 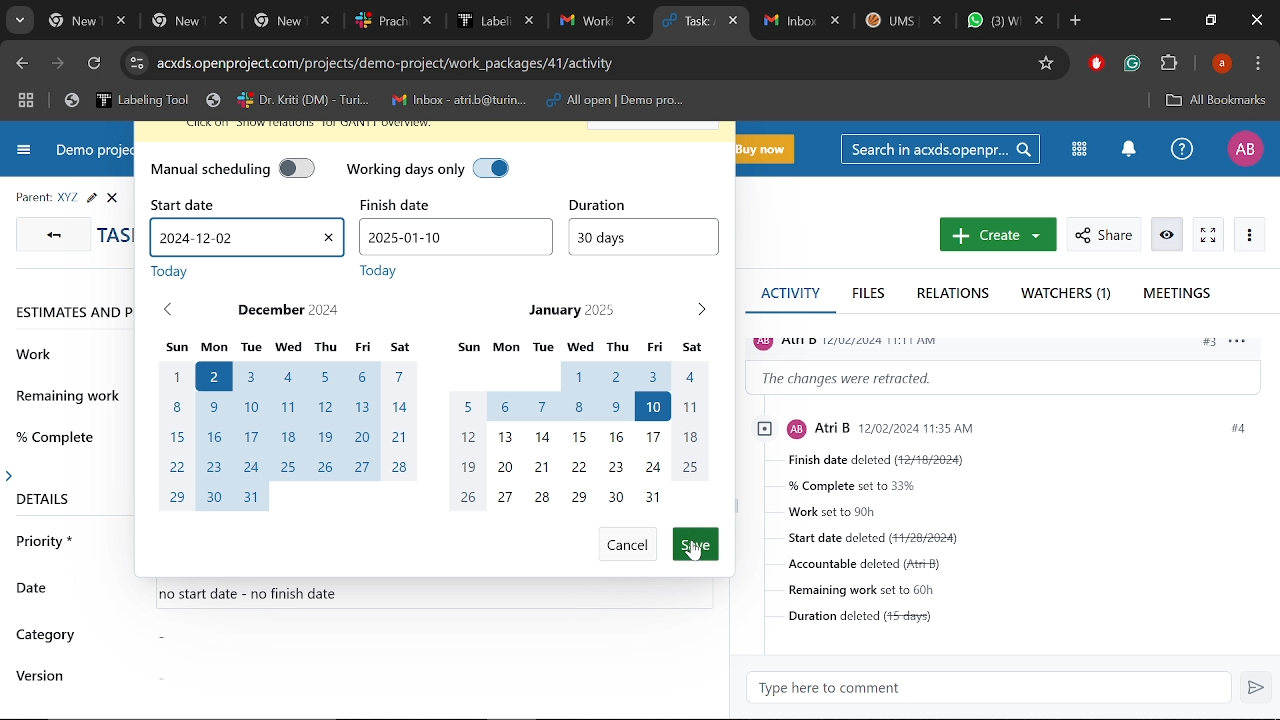 What do you see at coordinates (246, 237) in the screenshot?
I see `Start date` at bounding box center [246, 237].